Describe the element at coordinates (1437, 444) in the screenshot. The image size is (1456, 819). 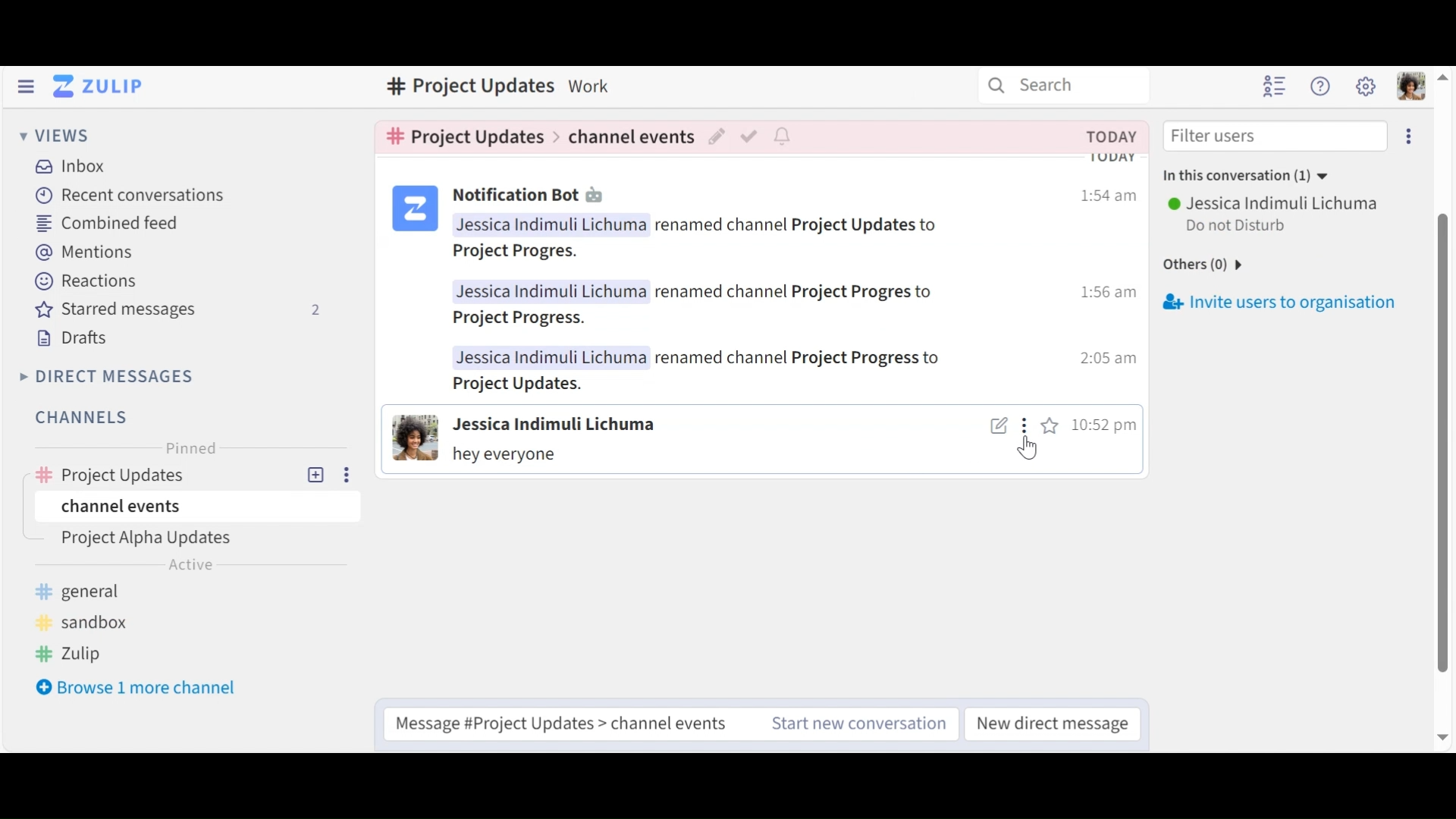
I see `vertical scroll bar` at that location.